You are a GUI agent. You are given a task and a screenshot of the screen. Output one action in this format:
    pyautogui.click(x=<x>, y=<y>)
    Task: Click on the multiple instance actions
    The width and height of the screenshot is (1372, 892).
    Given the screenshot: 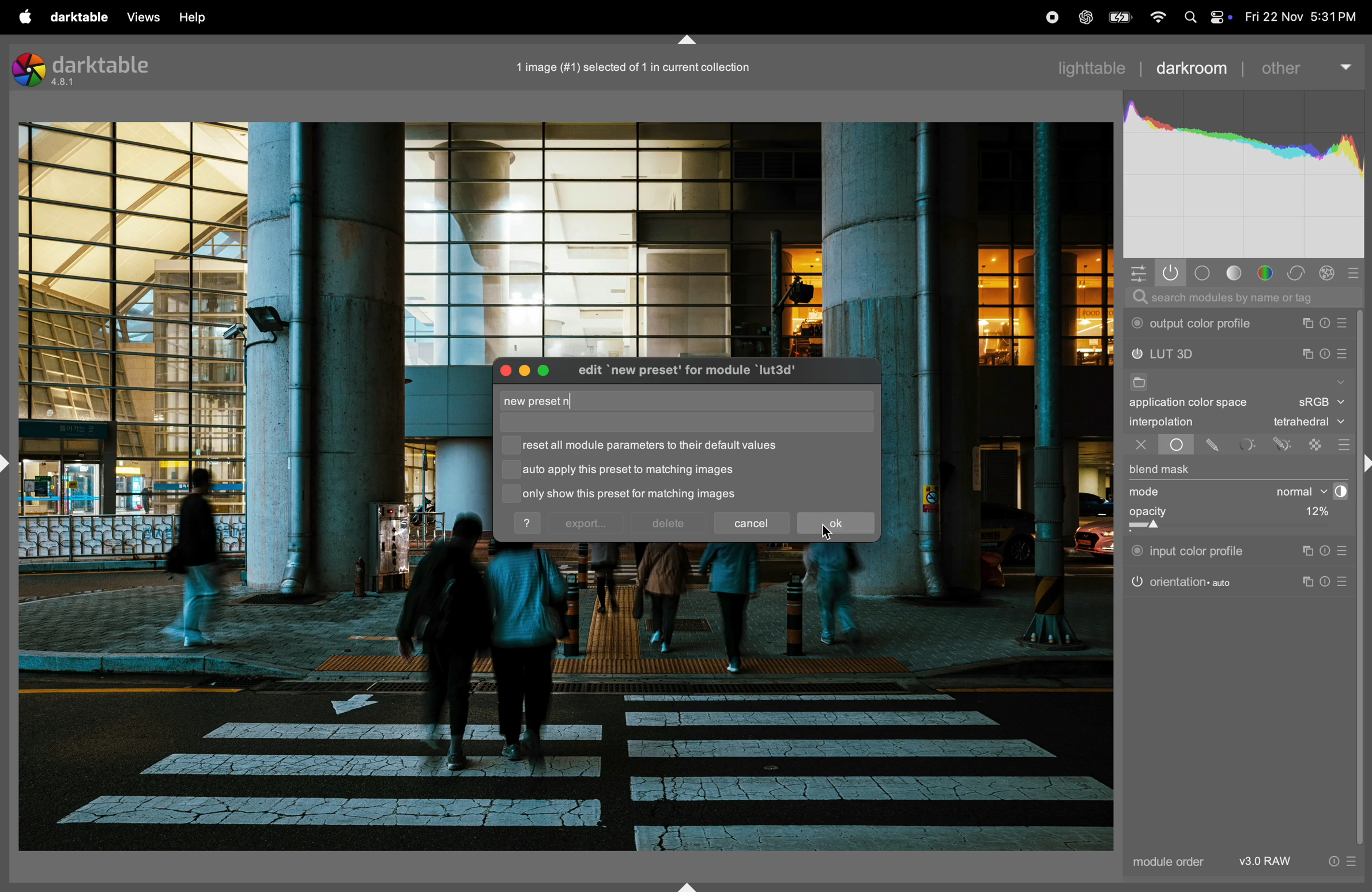 What is the action you would take?
    pyautogui.click(x=1308, y=323)
    